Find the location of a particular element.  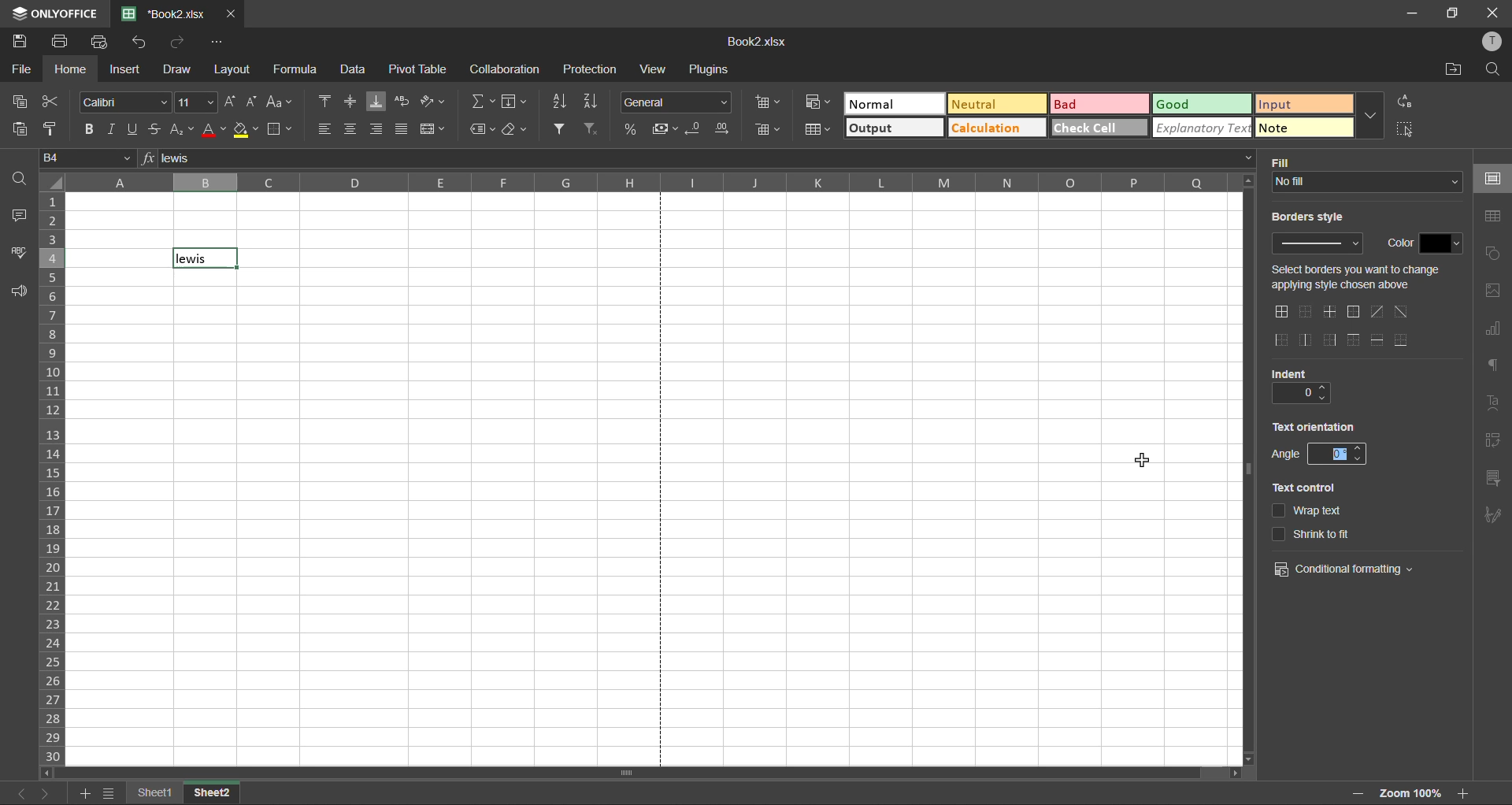

copy style is located at coordinates (57, 132).